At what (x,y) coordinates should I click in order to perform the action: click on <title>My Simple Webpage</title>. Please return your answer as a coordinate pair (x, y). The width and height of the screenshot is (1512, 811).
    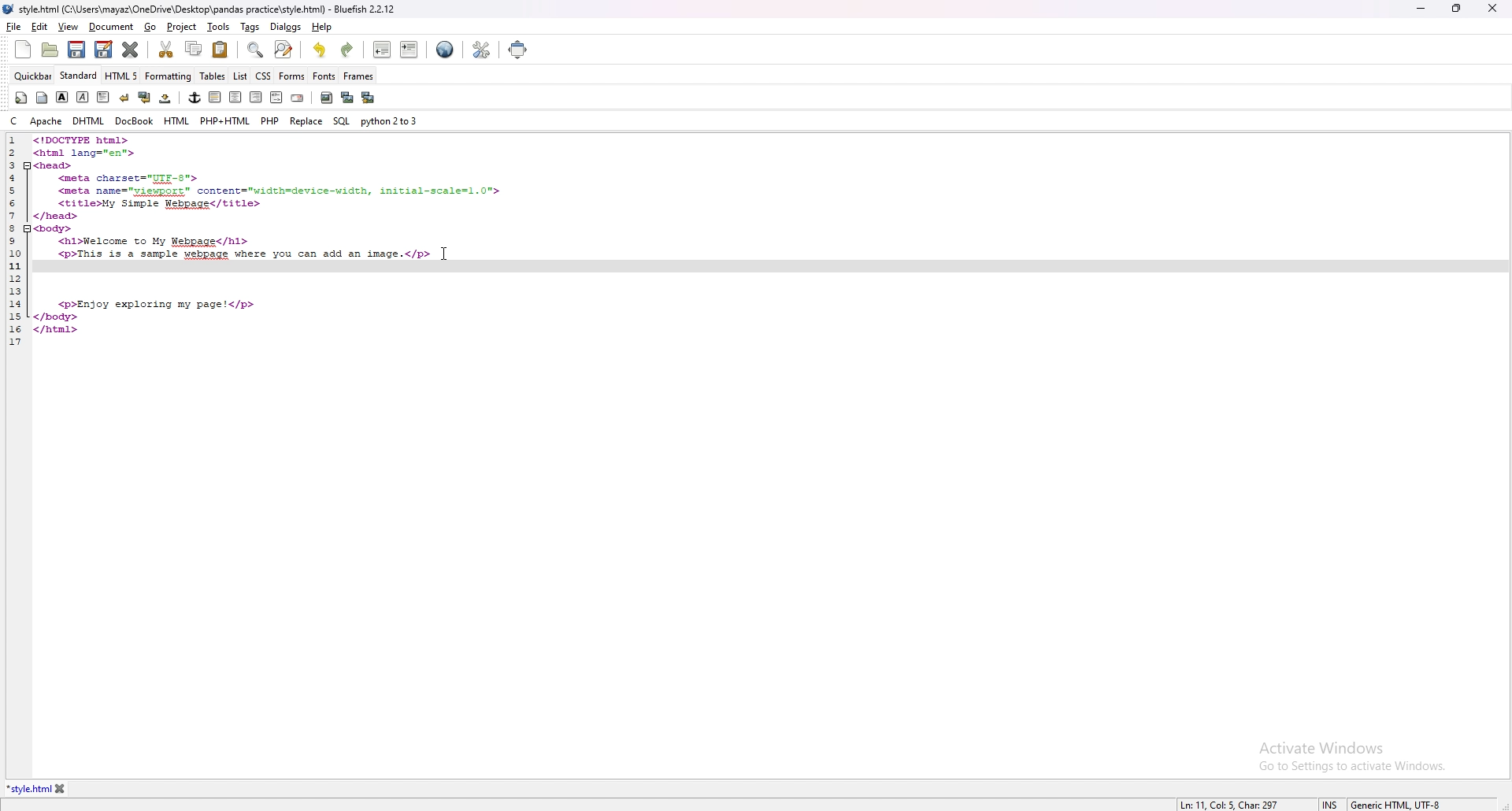
    Looking at the image, I should click on (161, 204).